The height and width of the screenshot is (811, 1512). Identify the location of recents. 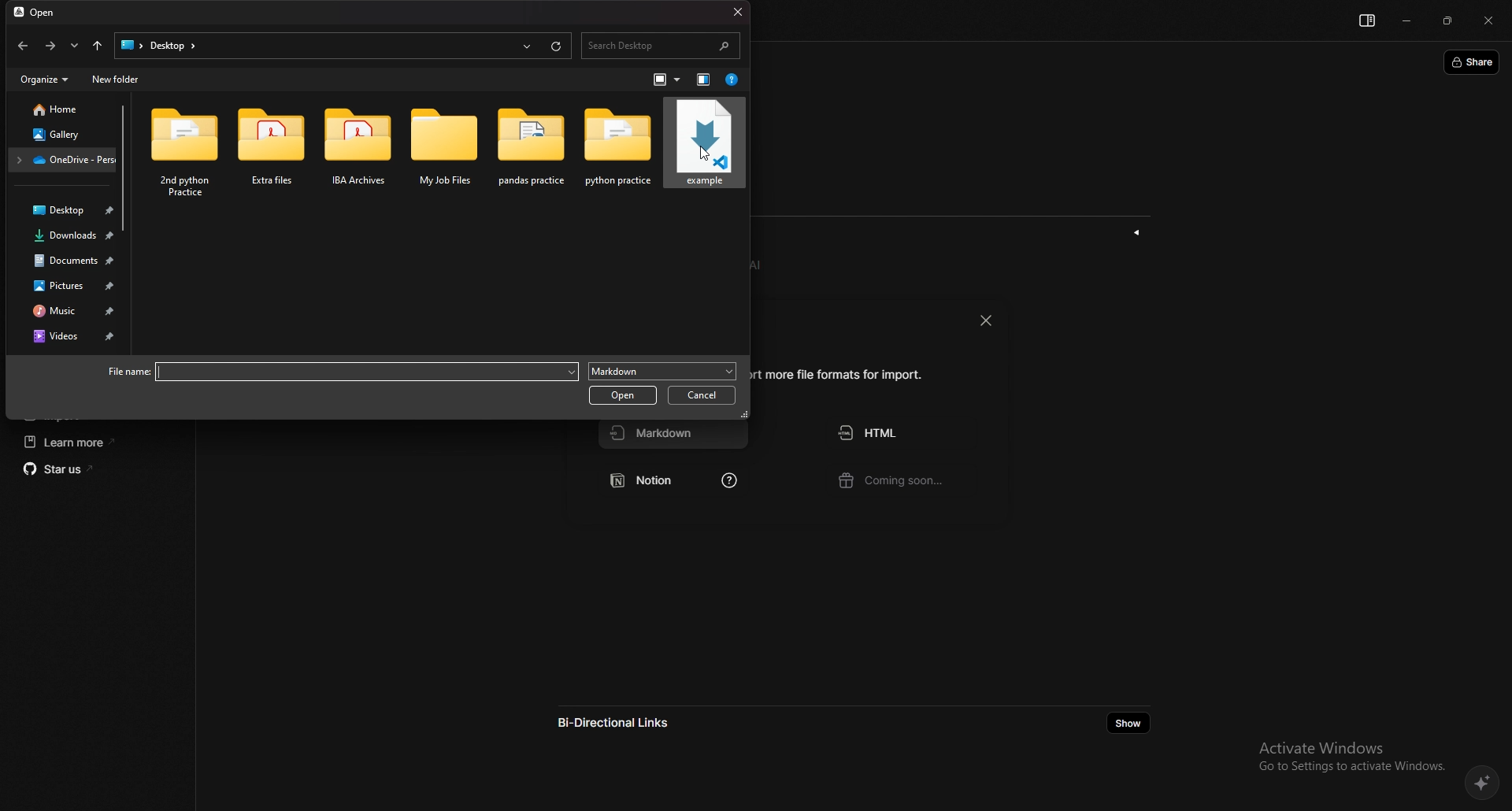
(526, 45).